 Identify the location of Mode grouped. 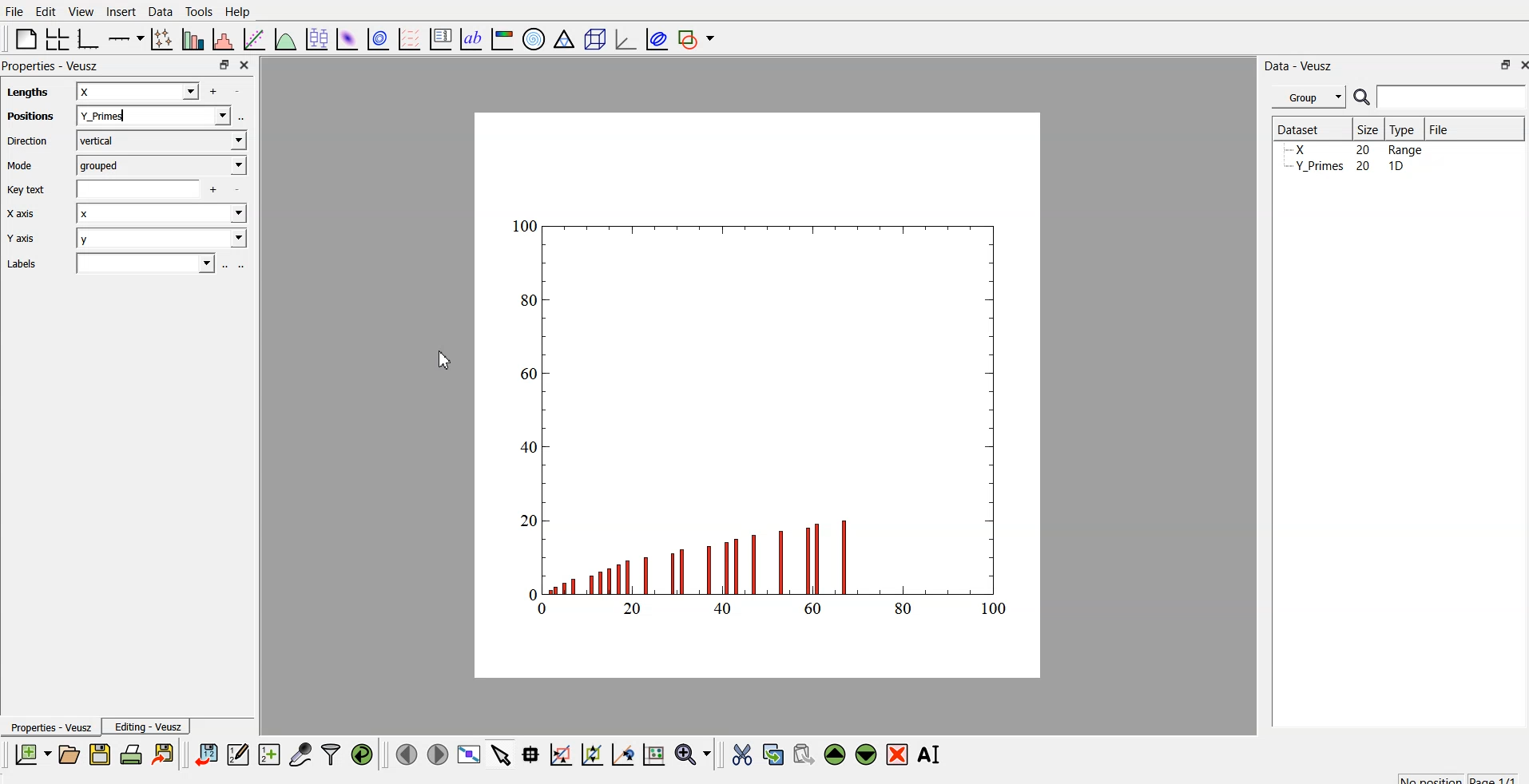
(126, 164).